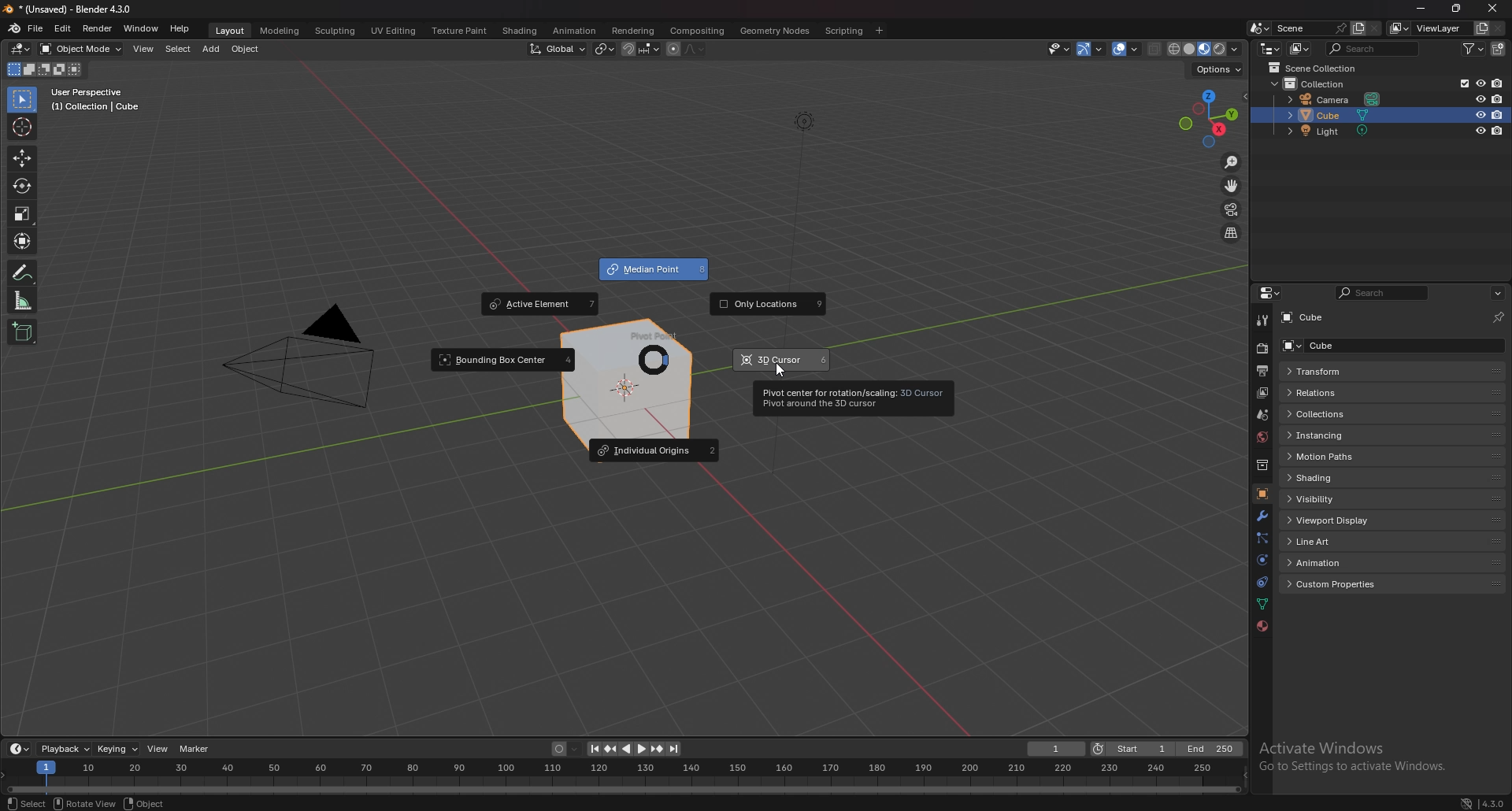 This screenshot has width=1512, height=811. Describe the element at coordinates (13, 29) in the screenshot. I see `blender` at that location.